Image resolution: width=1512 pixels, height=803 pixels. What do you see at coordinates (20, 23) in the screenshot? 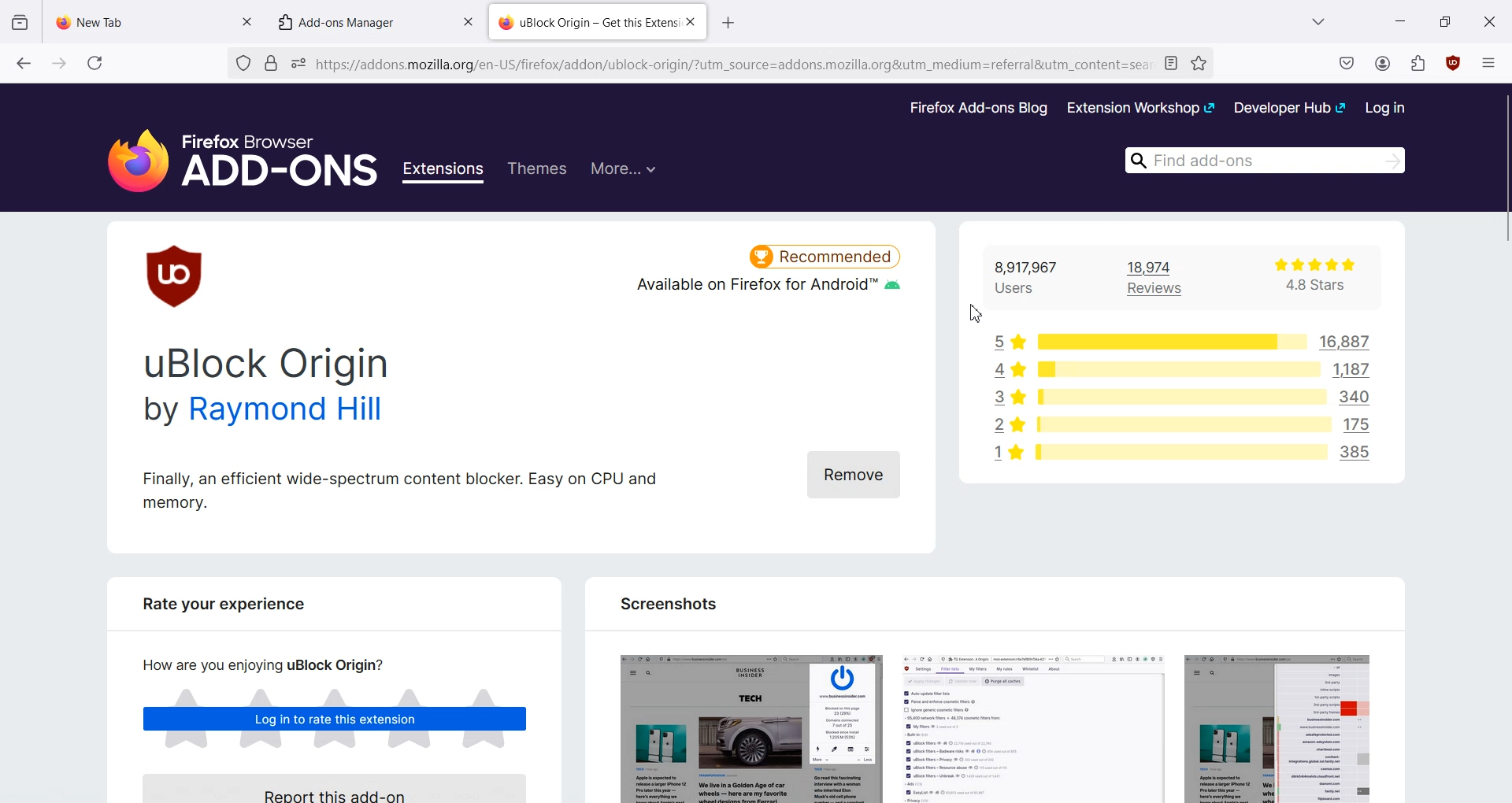
I see `View recent Browsing` at bounding box center [20, 23].